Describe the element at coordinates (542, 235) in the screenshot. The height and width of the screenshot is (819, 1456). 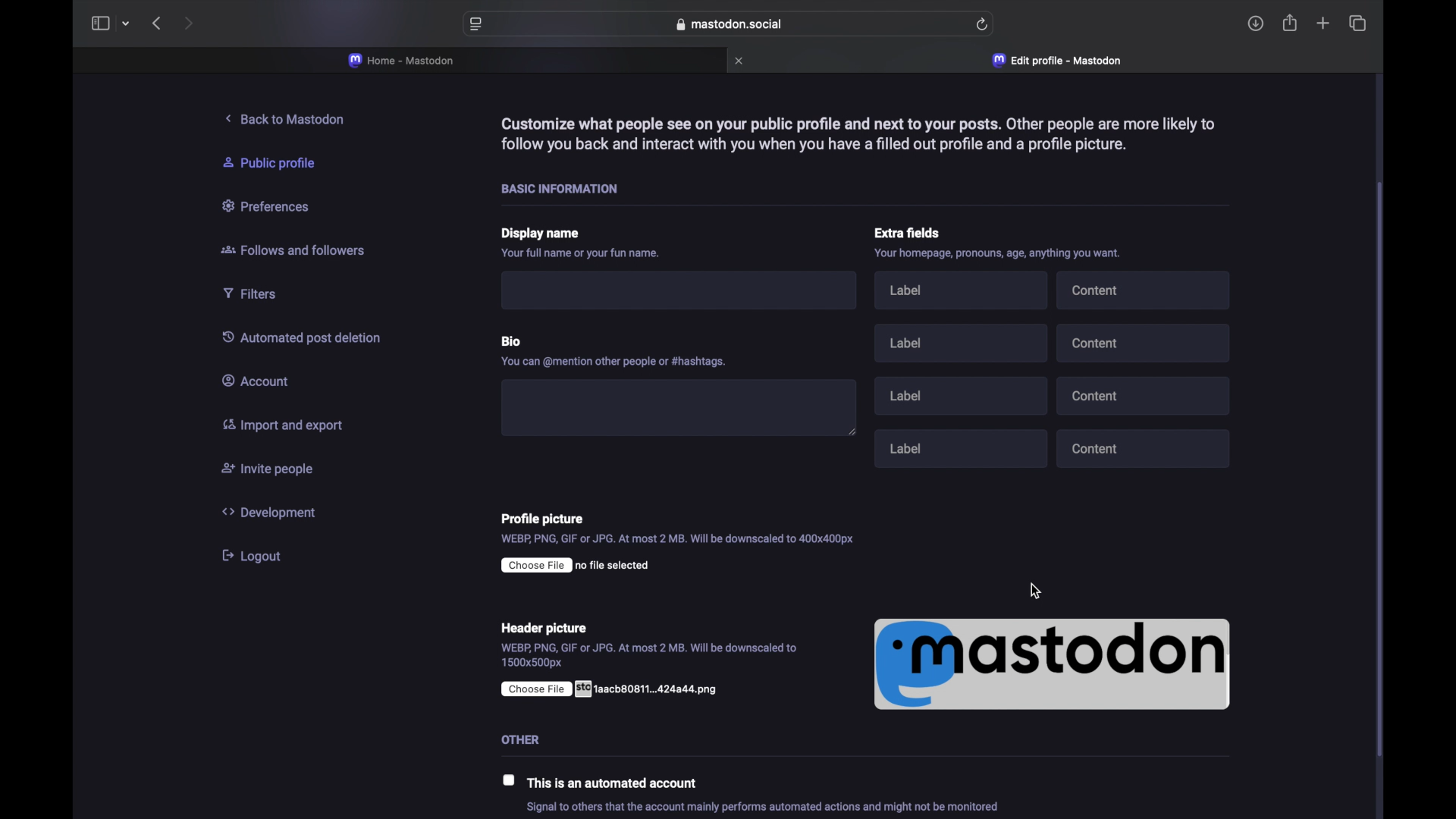
I see `display name` at that location.